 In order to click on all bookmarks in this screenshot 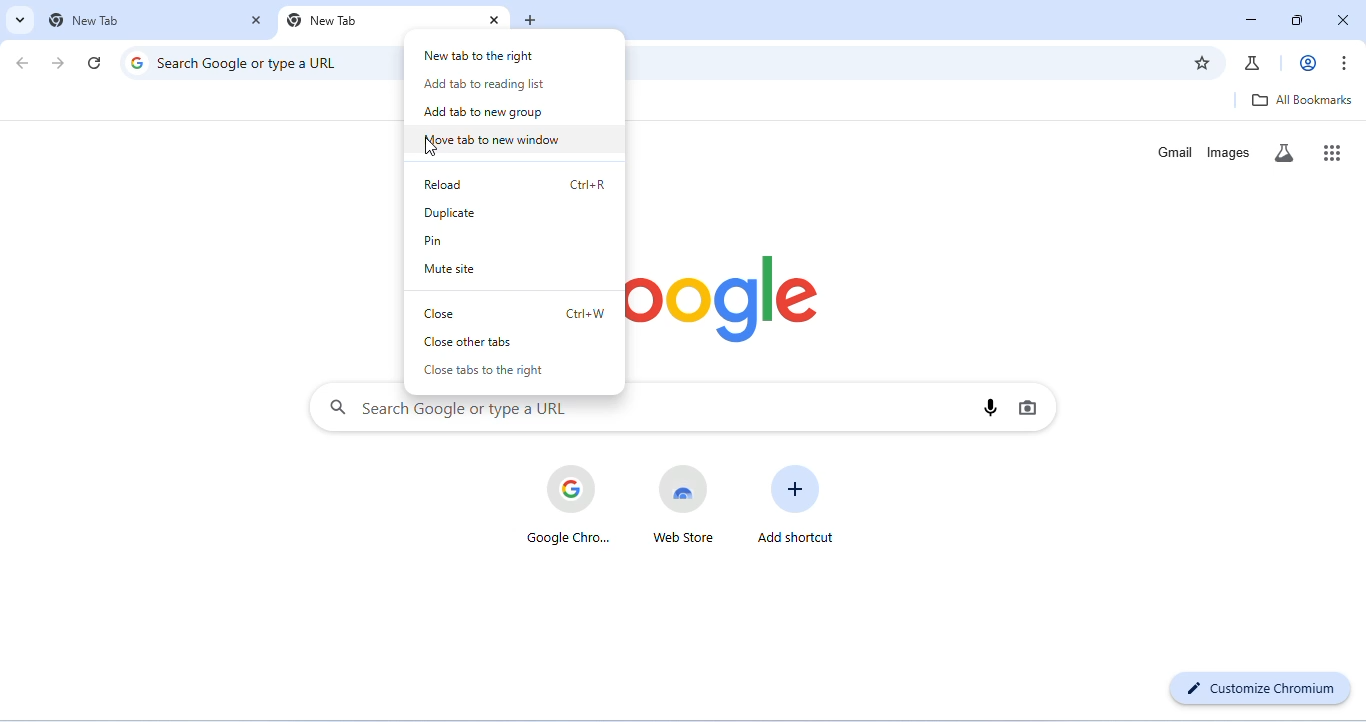, I will do `click(1299, 99)`.